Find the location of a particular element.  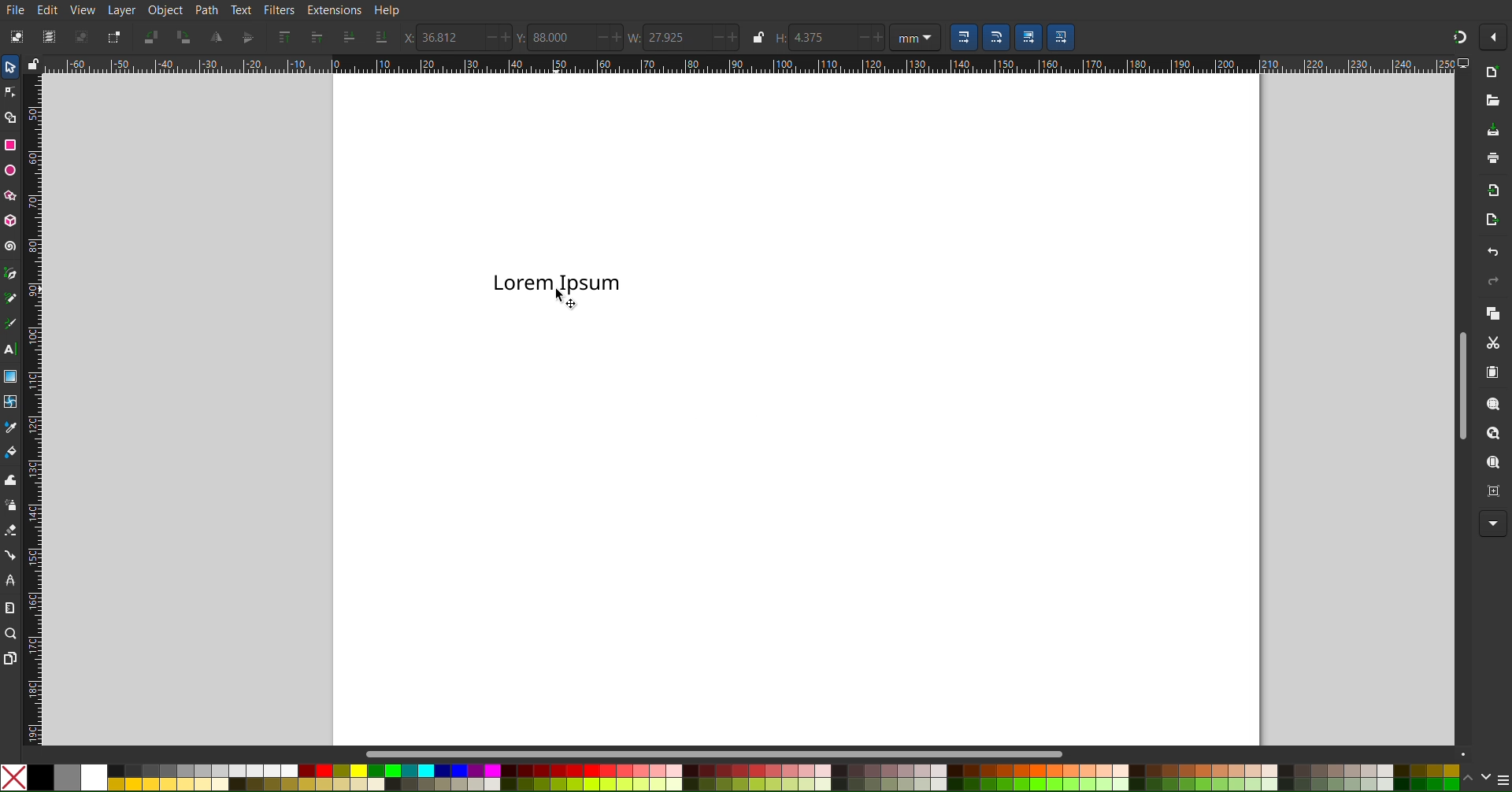

Options is located at coordinates (1495, 37).